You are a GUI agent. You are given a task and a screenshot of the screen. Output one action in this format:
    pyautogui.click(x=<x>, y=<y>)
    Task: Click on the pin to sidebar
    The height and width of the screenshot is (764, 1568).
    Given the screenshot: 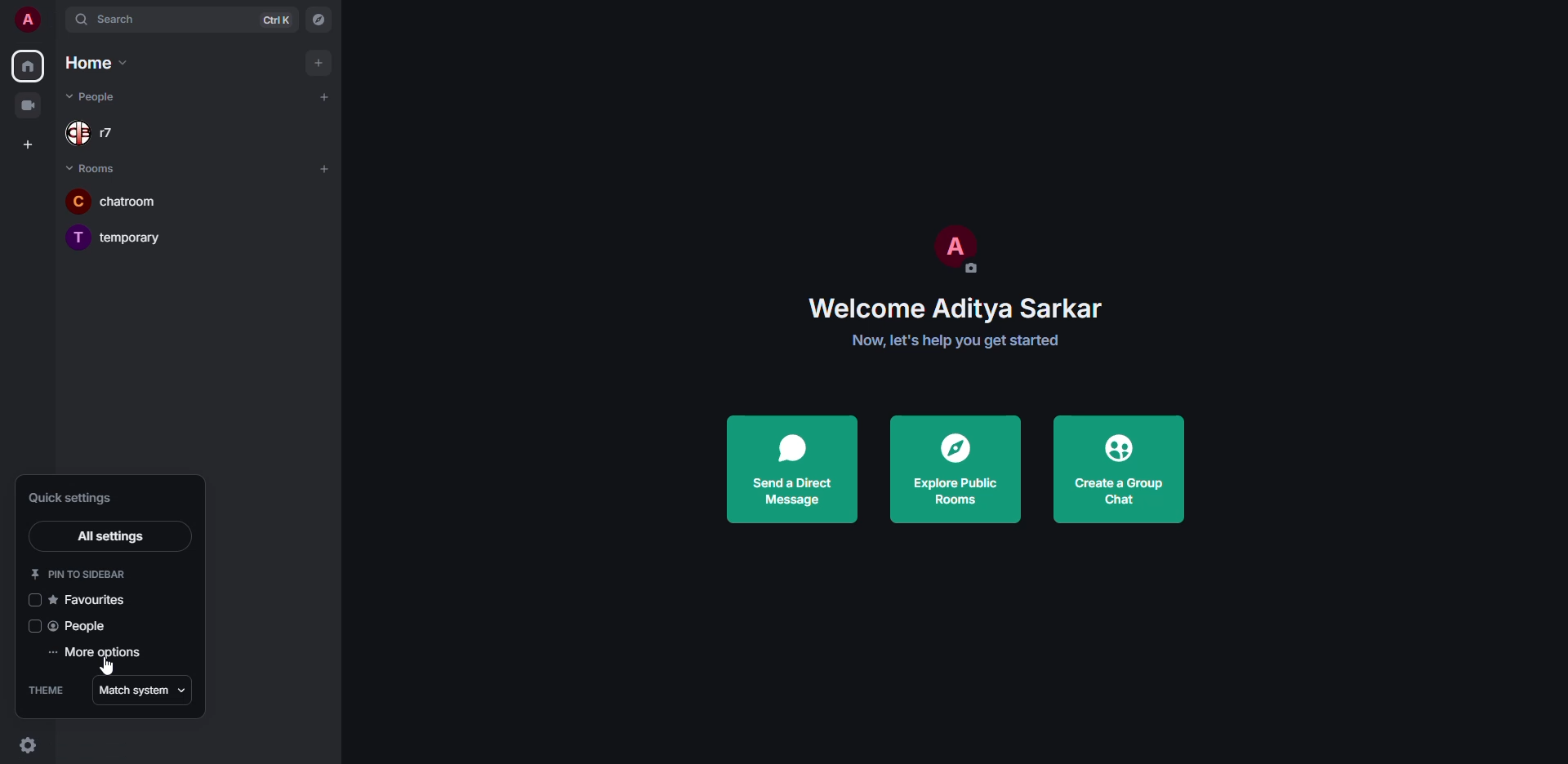 What is the action you would take?
    pyautogui.click(x=80, y=573)
    